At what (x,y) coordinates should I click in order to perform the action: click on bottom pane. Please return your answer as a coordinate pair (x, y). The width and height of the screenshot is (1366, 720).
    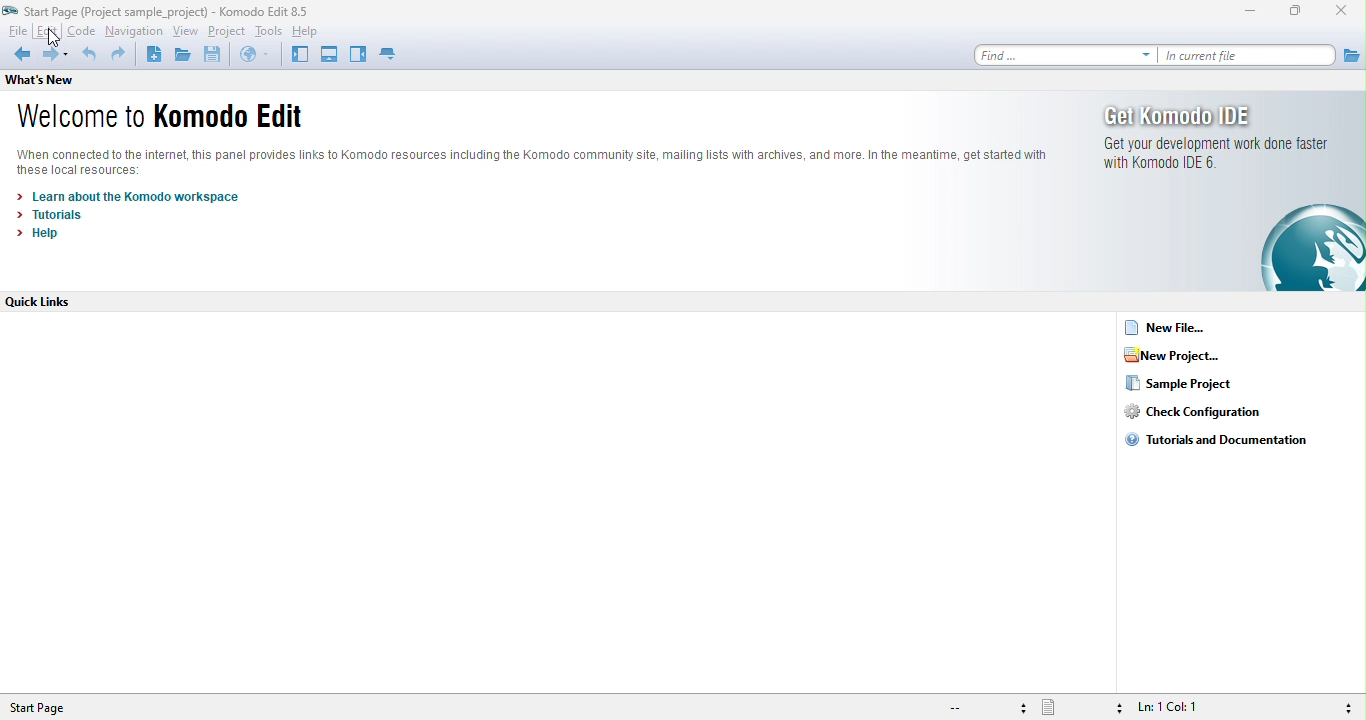
    Looking at the image, I should click on (331, 57).